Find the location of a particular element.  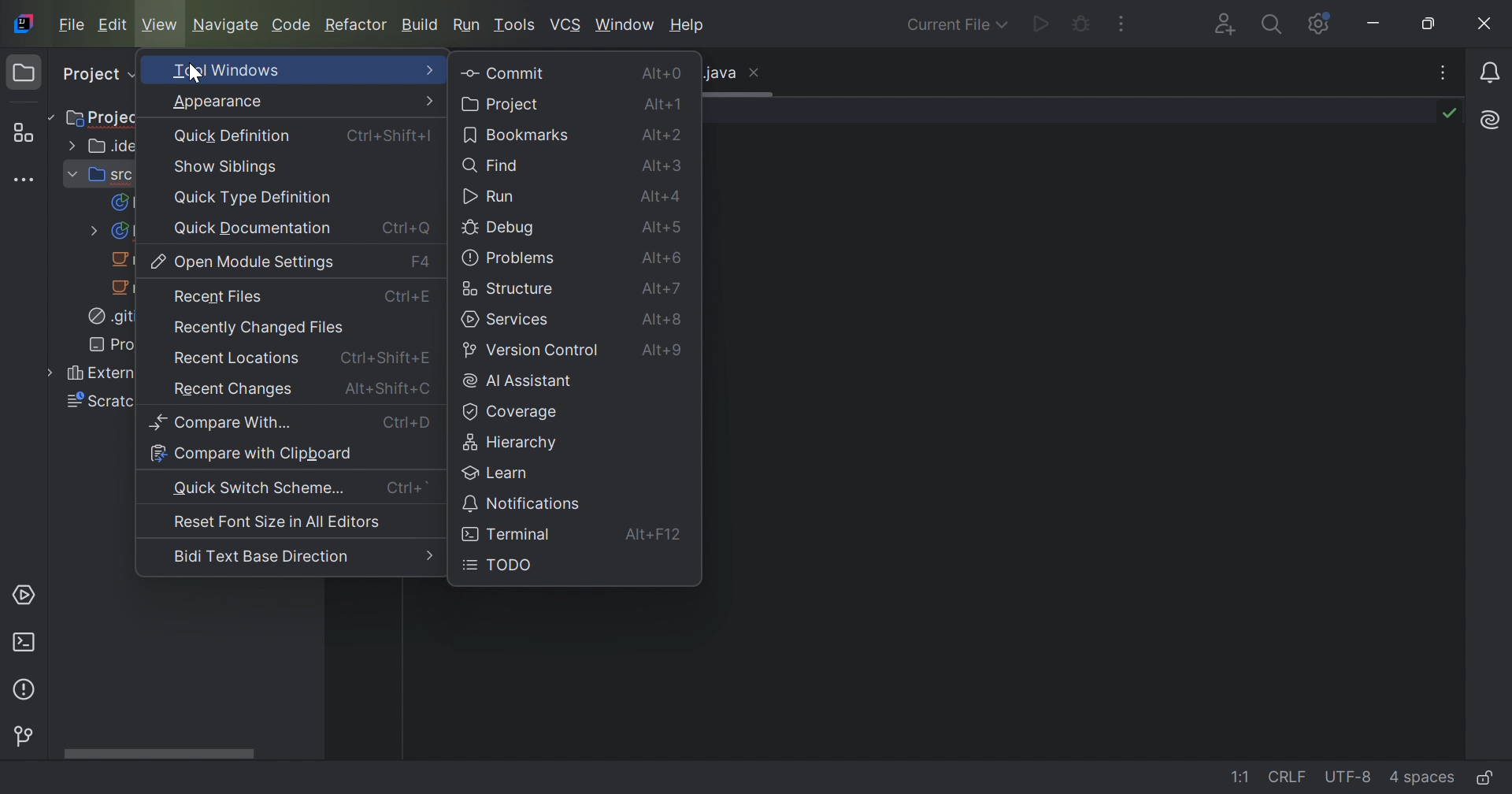

Recent File, tab Actions, and More is located at coordinates (1444, 72).